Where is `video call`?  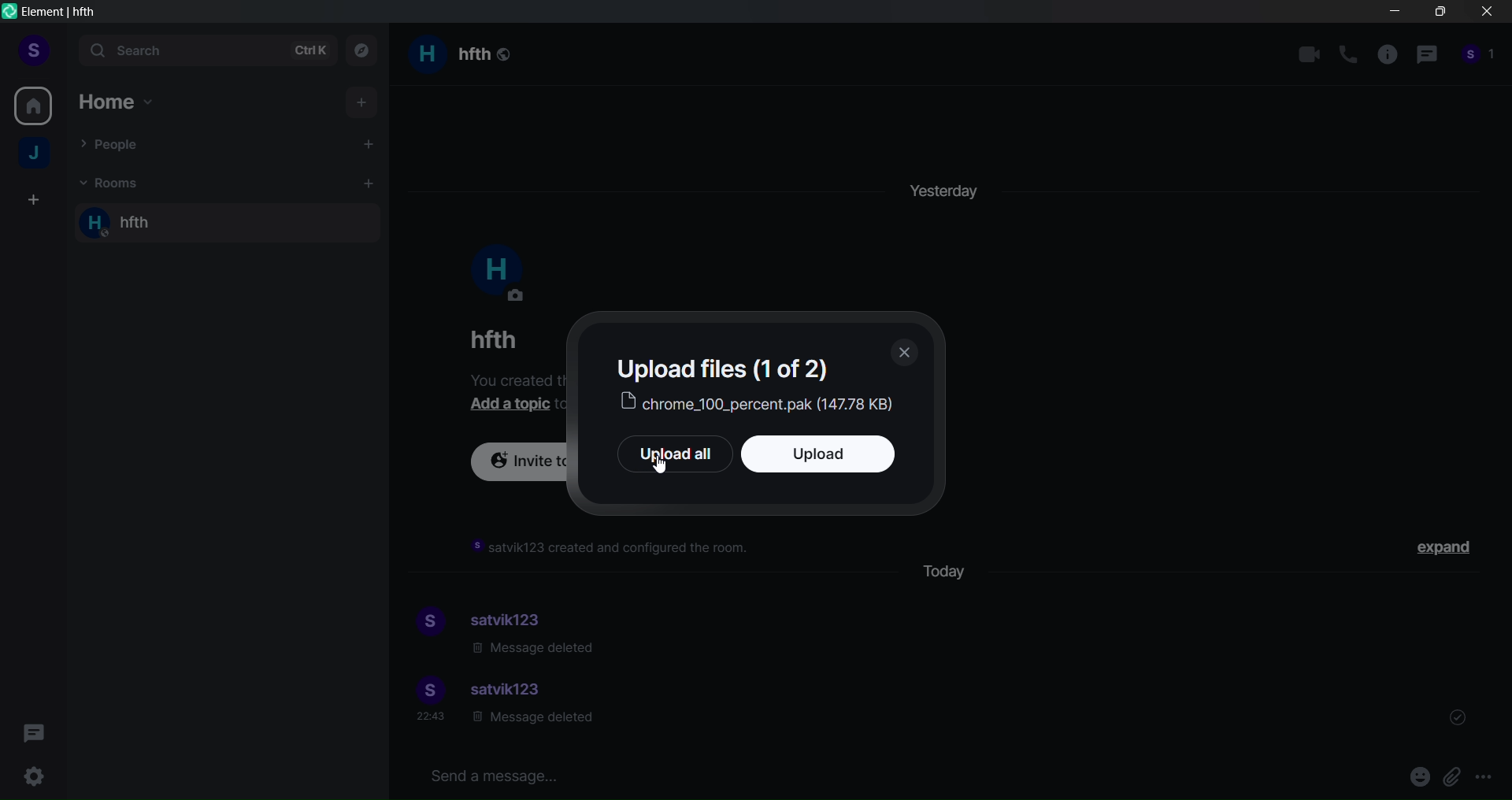
video call is located at coordinates (1309, 54).